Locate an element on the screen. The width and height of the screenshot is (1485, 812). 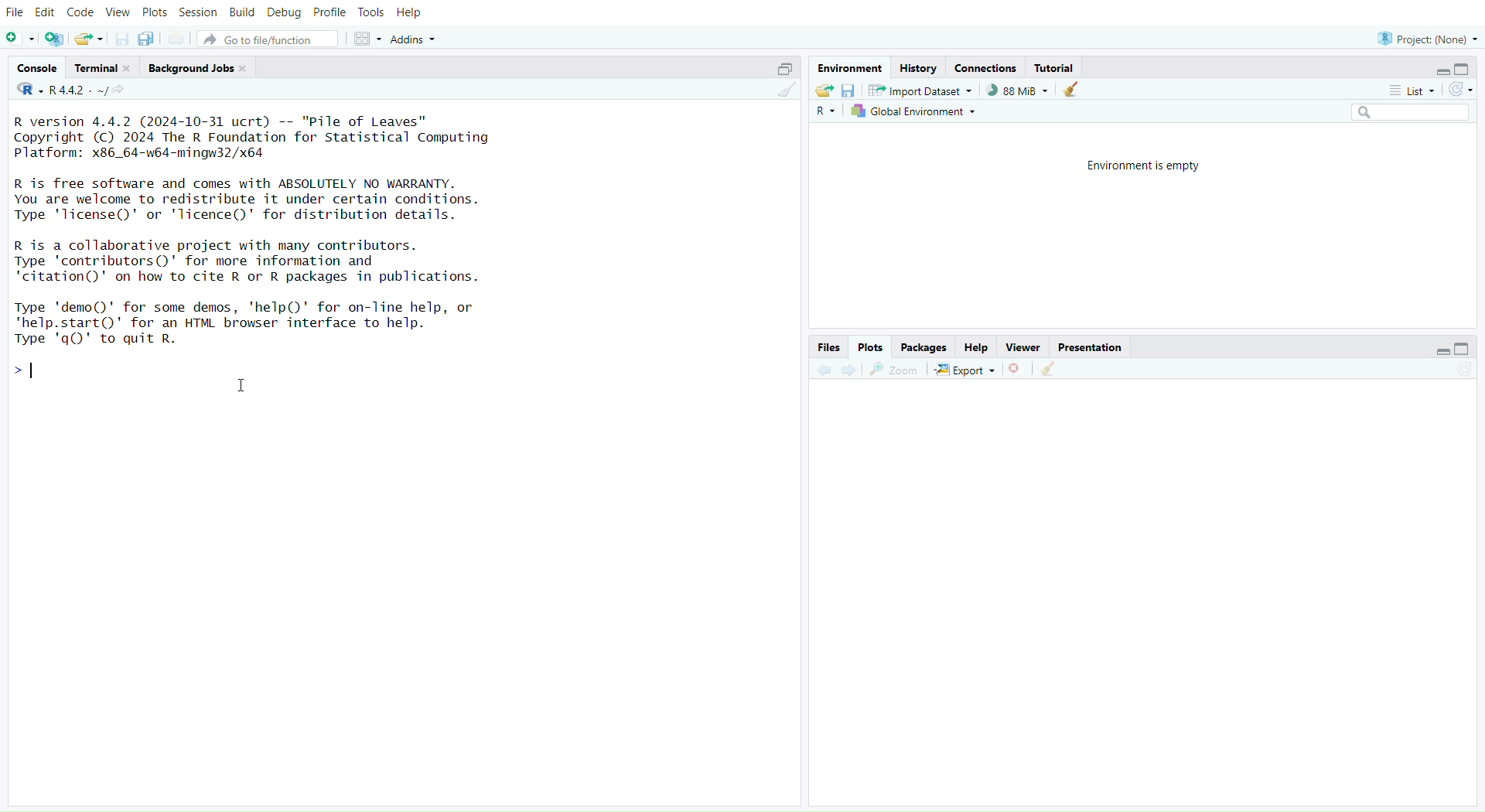
refresh list is located at coordinates (1461, 90).